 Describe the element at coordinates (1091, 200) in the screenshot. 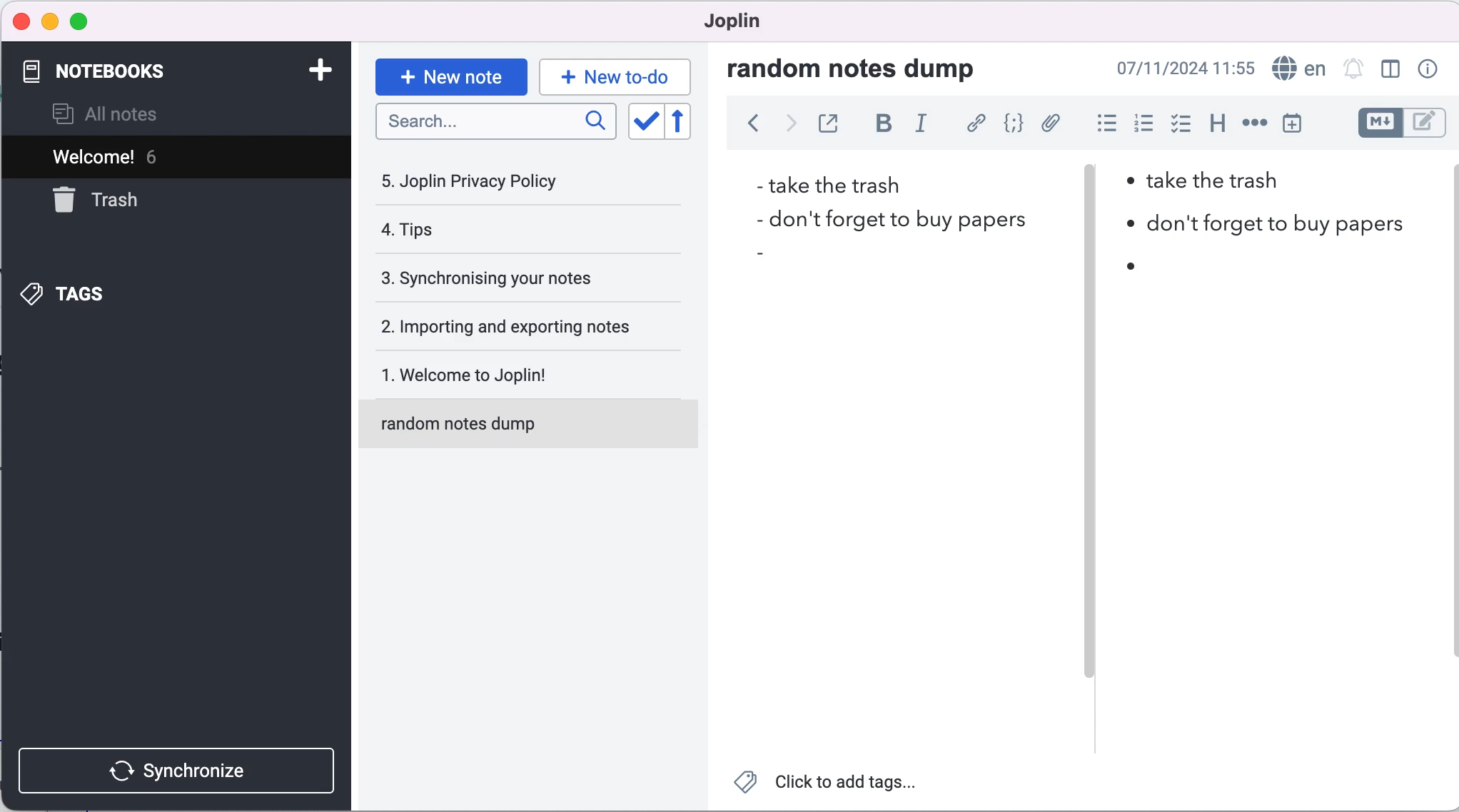

I see `vertical slider` at that location.